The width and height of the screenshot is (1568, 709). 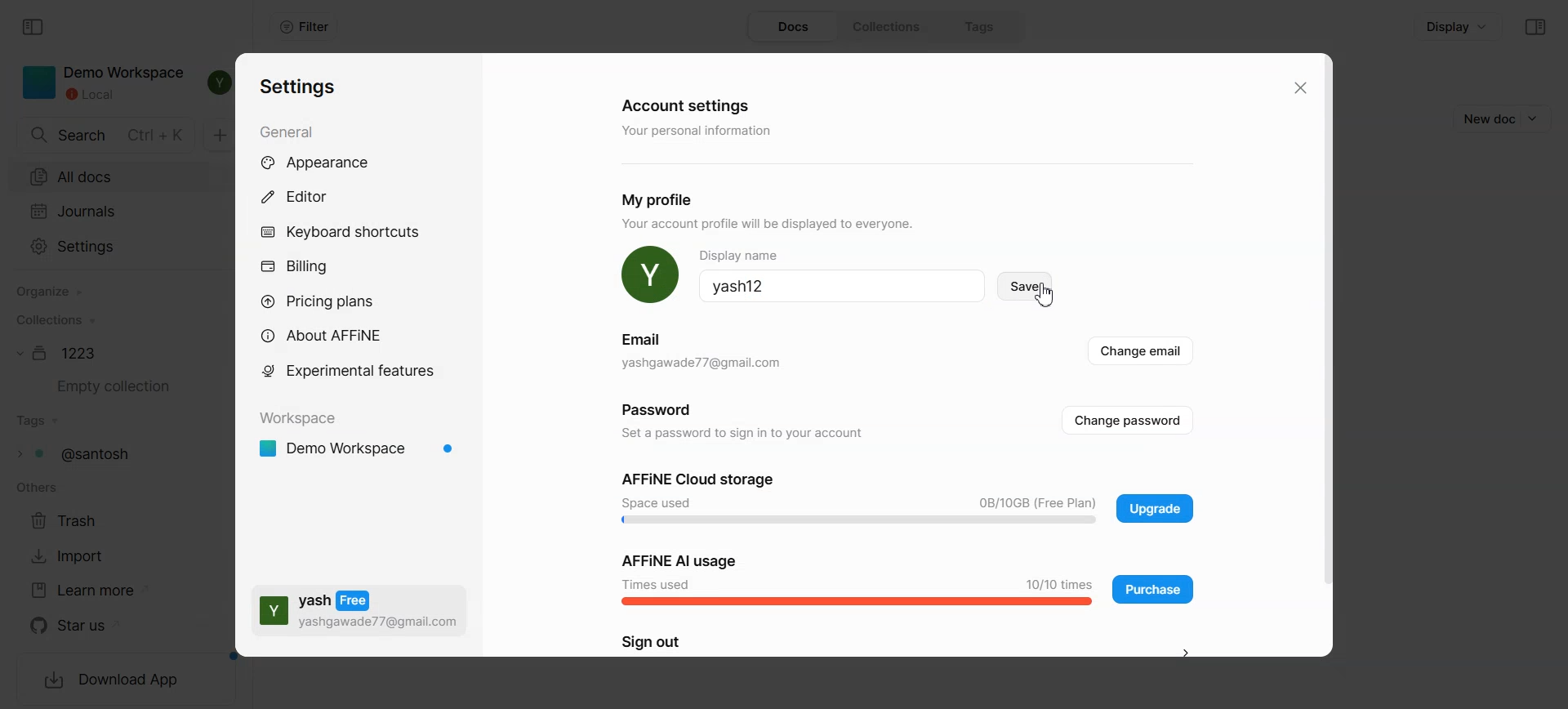 What do you see at coordinates (328, 301) in the screenshot?
I see `Pricing plans` at bounding box center [328, 301].